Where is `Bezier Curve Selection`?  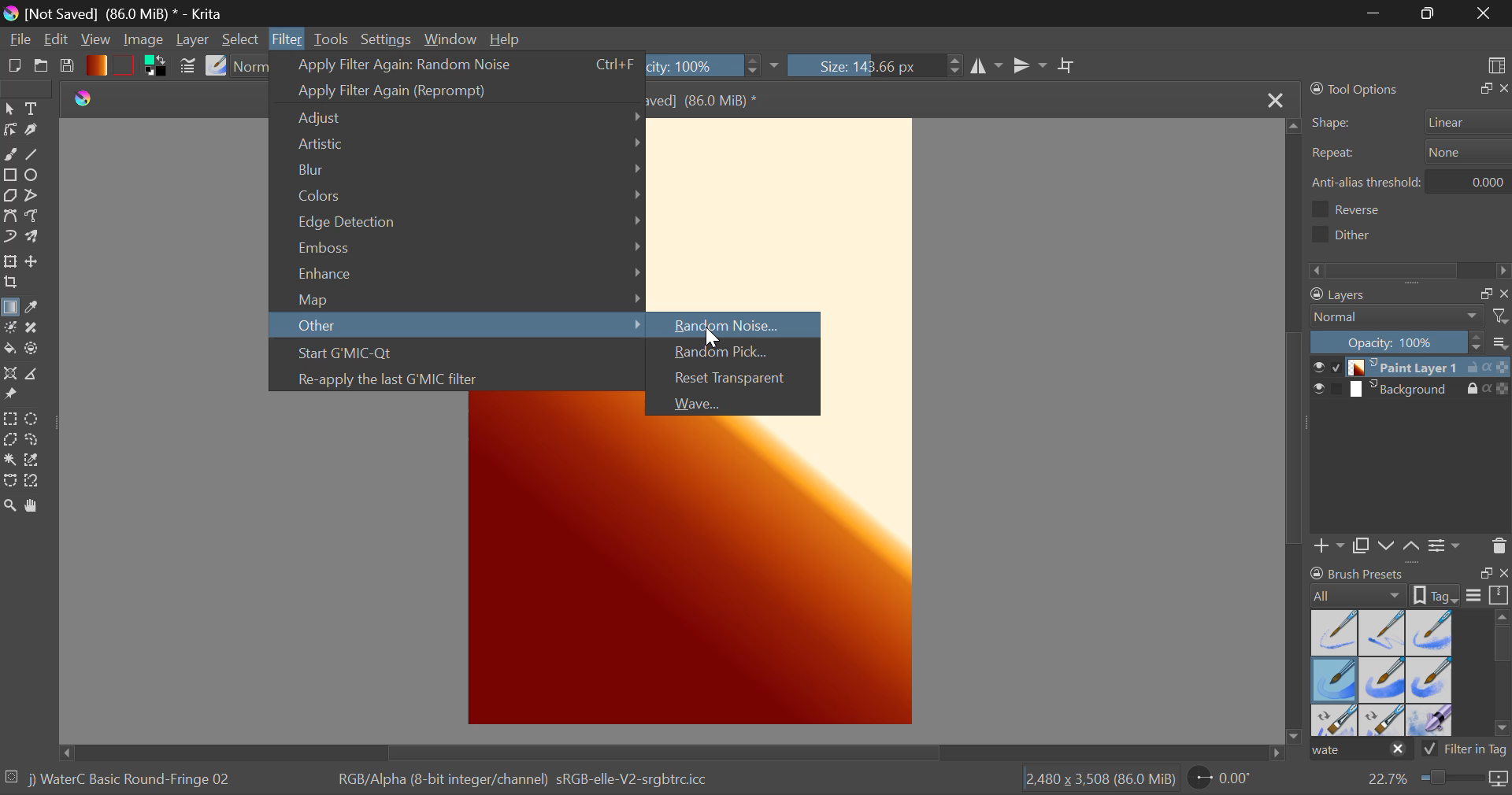
Bezier Curve Selection is located at coordinates (10, 482).